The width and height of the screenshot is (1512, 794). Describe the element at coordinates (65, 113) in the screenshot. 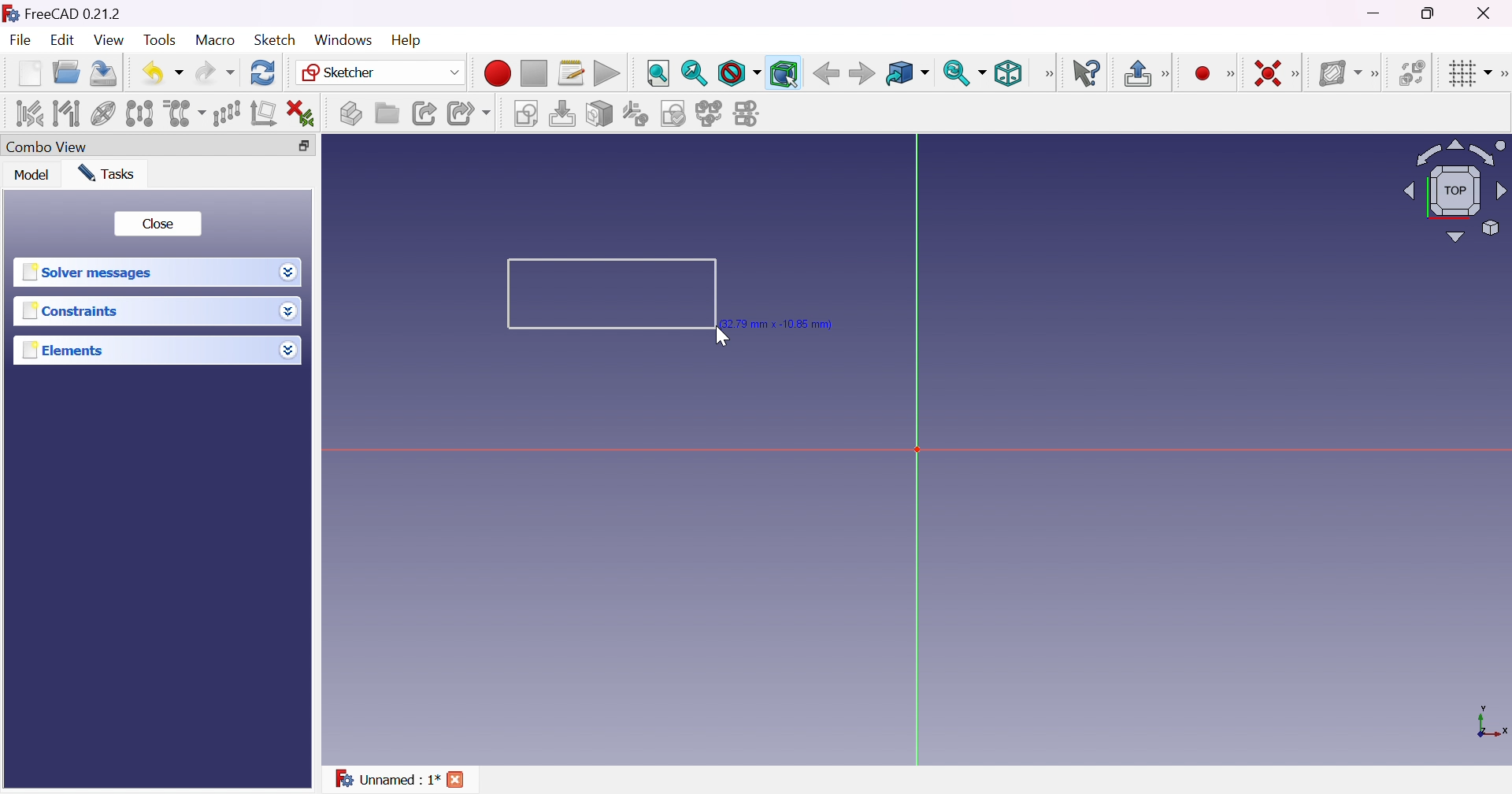

I see `Select associated geometry` at that location.